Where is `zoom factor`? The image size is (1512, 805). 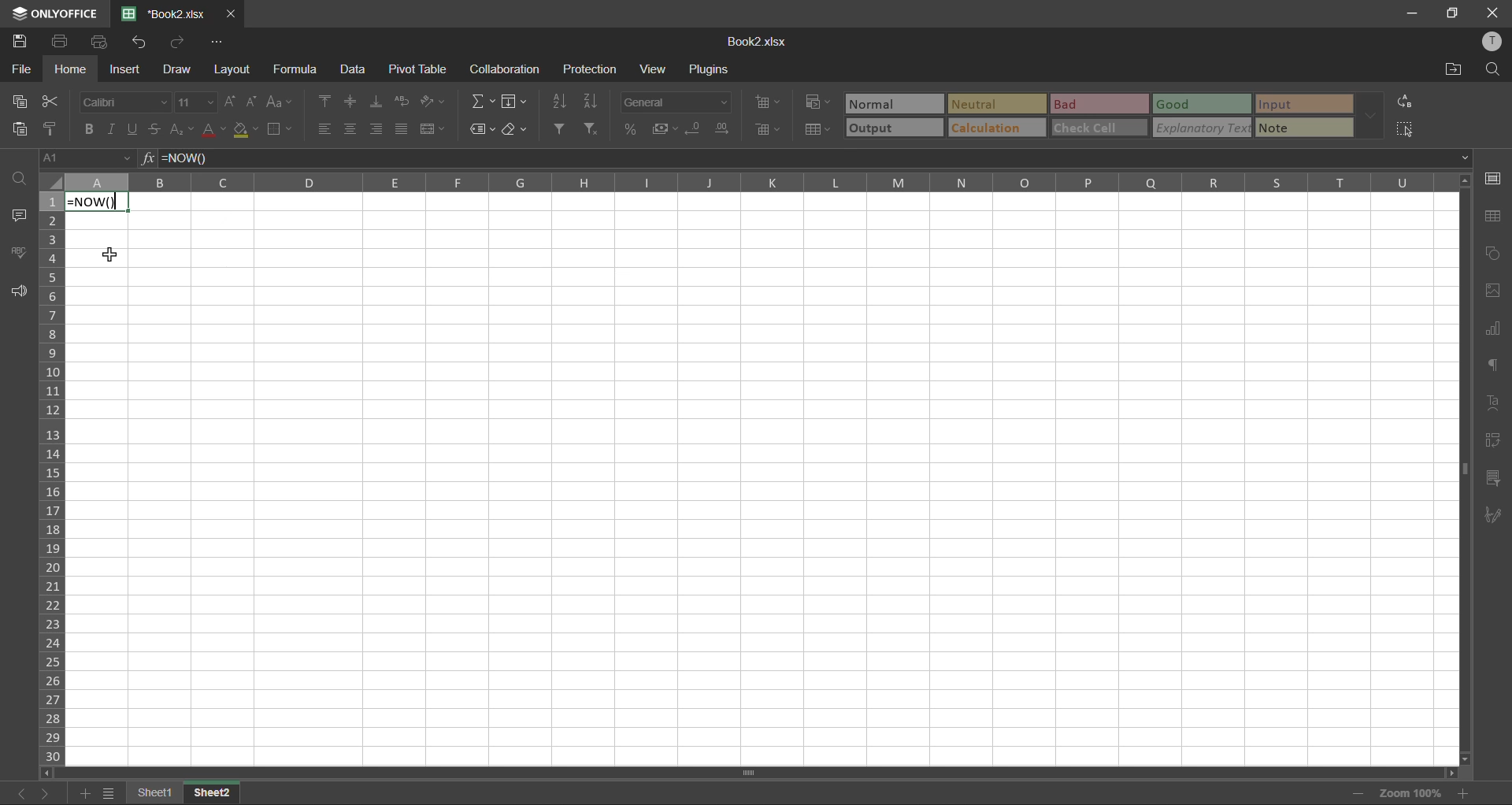 zoom factor is located at coordinates (1416, 791).